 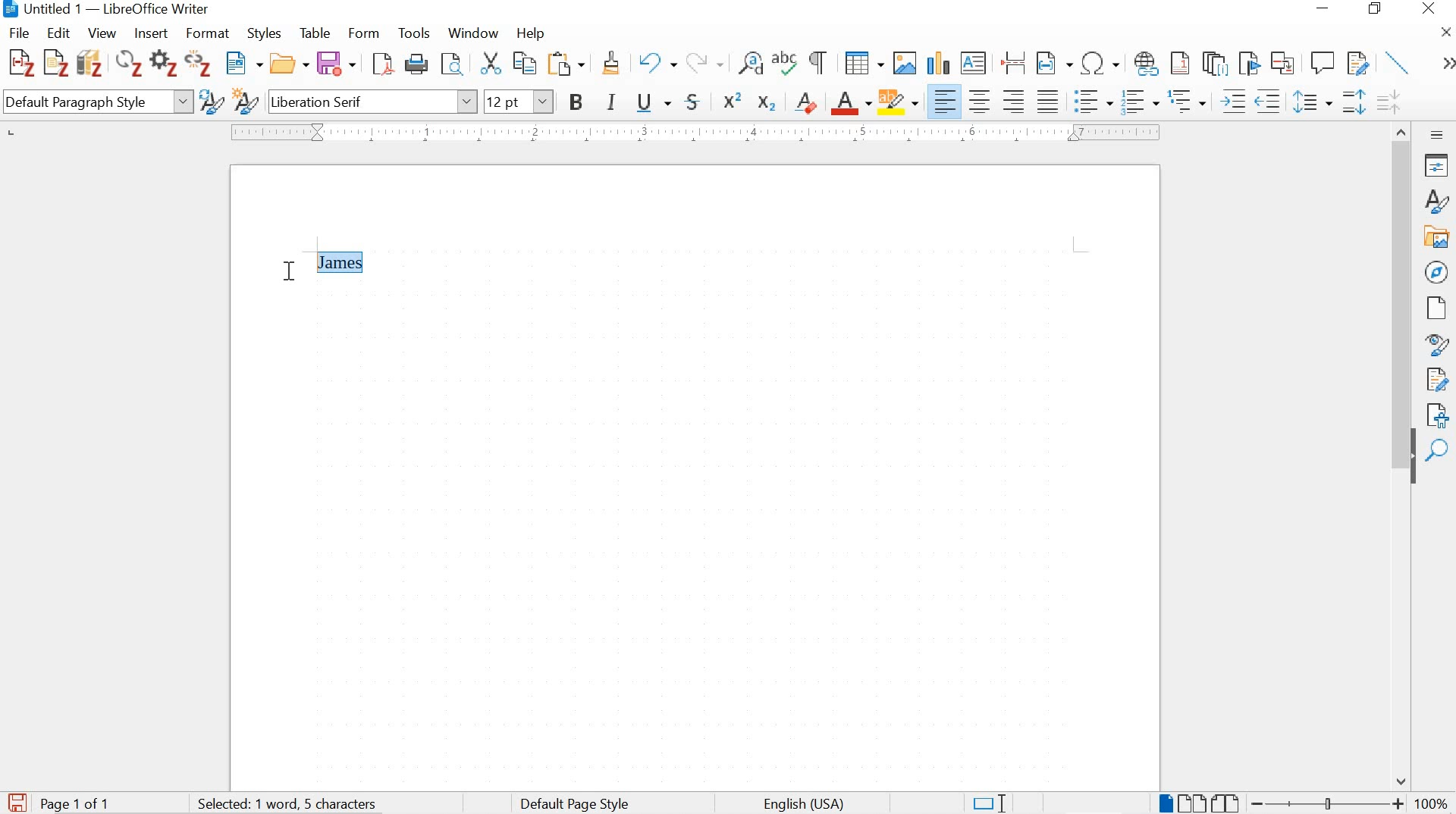 What do you see at coordinates (980, 101) in the screenshot?
I see `align center` at bounding box center [980, 101].